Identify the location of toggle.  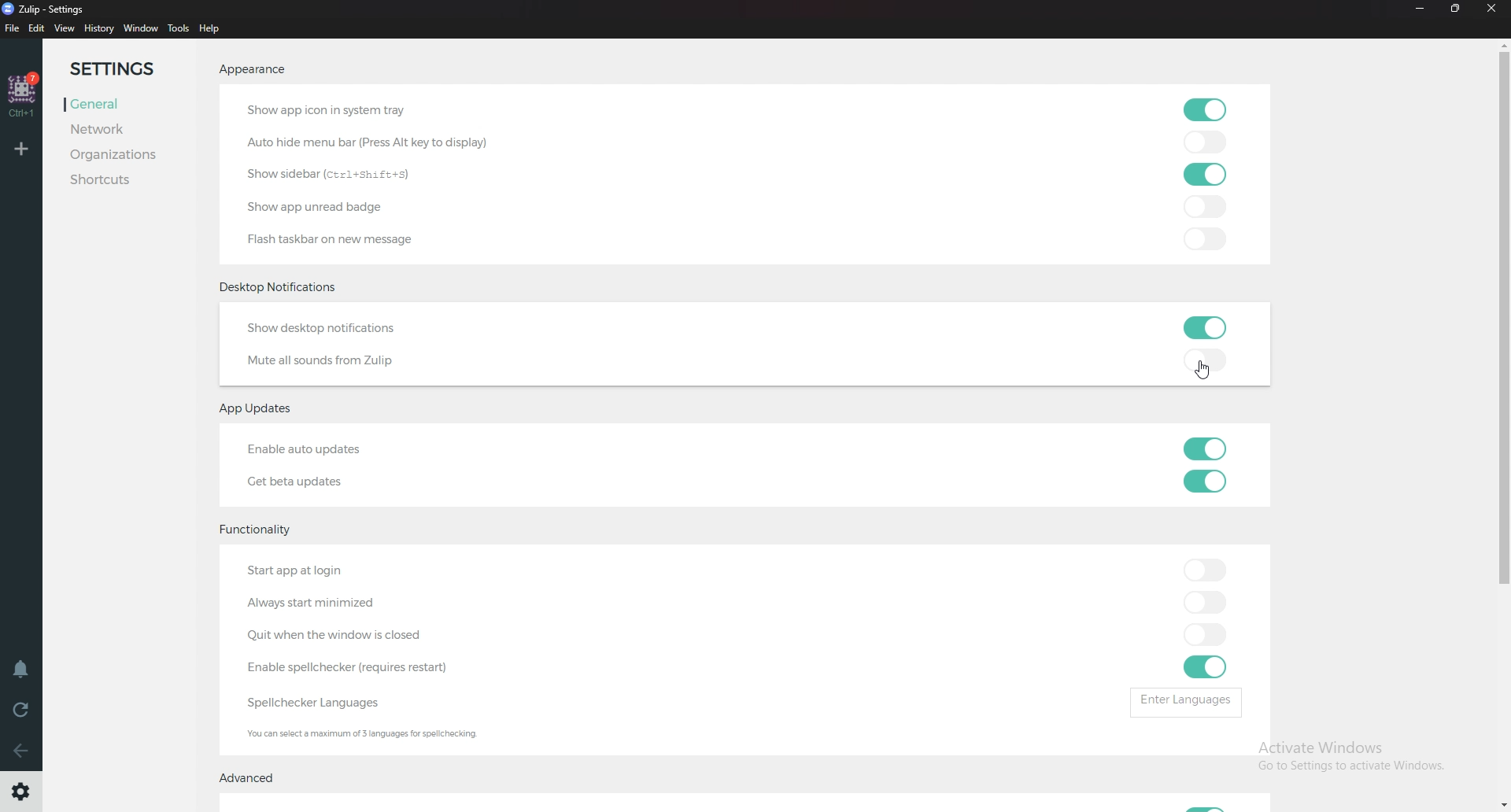
(1209, 360).